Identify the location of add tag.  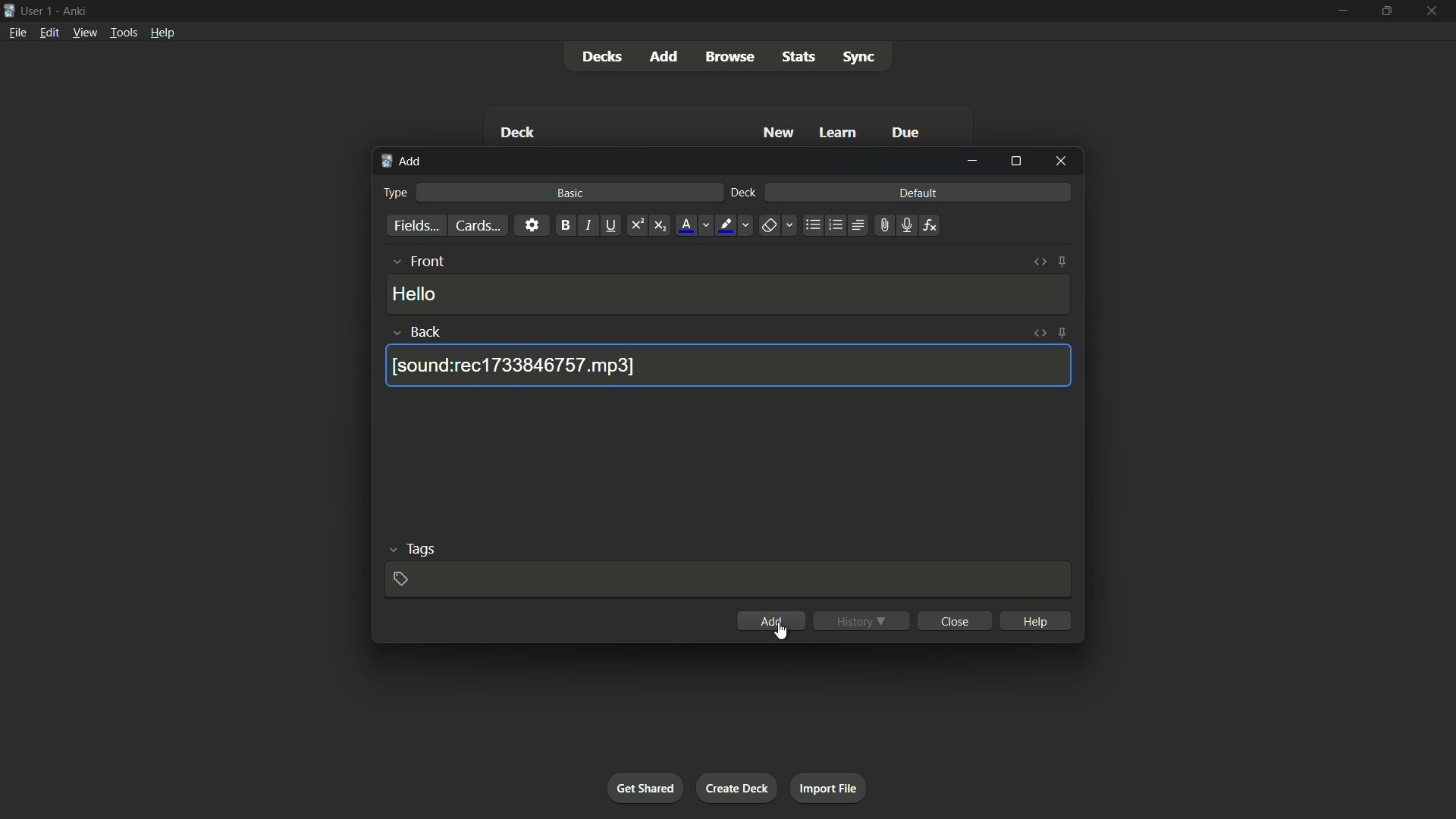
(400, 579).